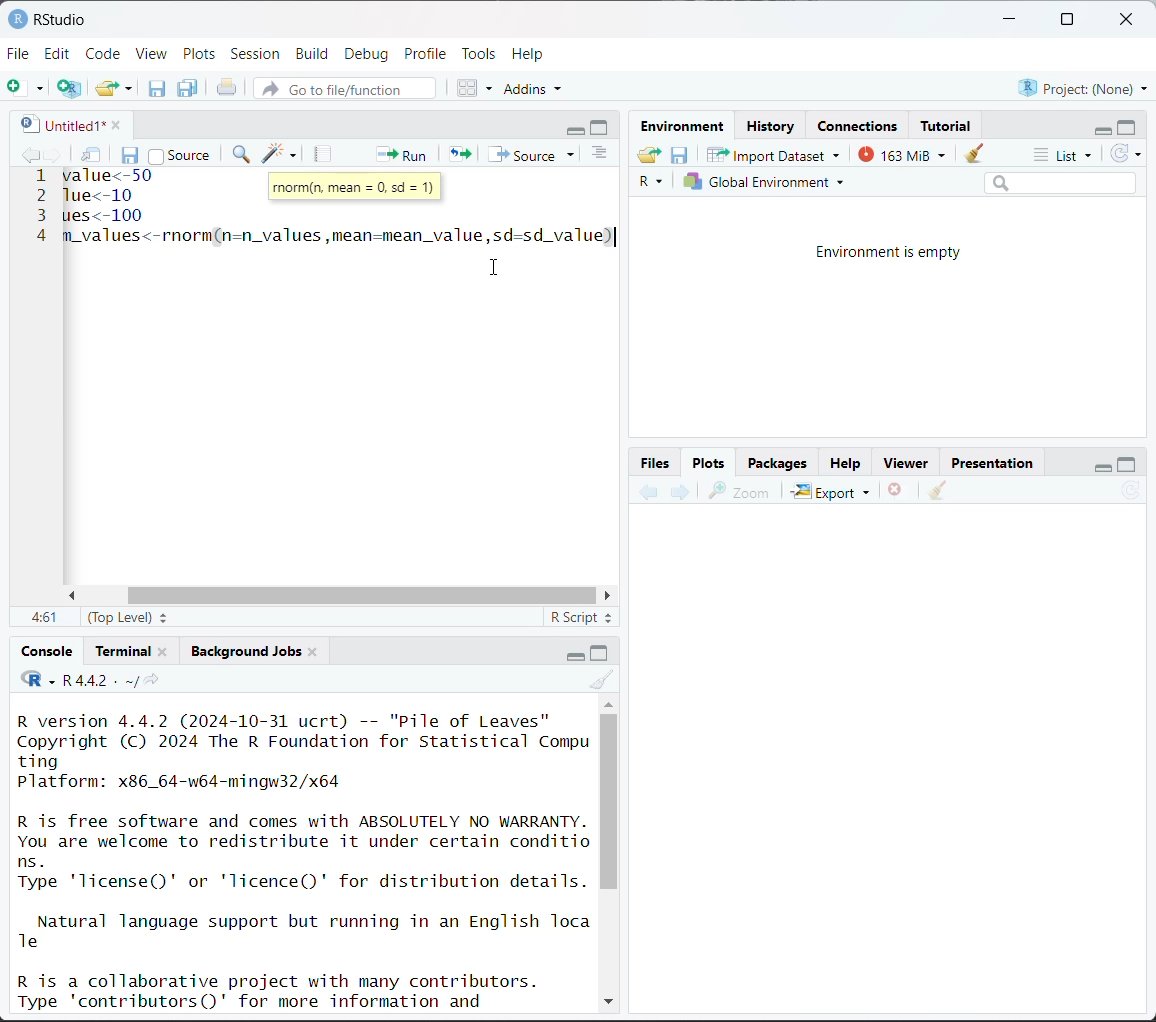 The image size is (1156, 1022). I want to click on find/replace, so click(243, 156).